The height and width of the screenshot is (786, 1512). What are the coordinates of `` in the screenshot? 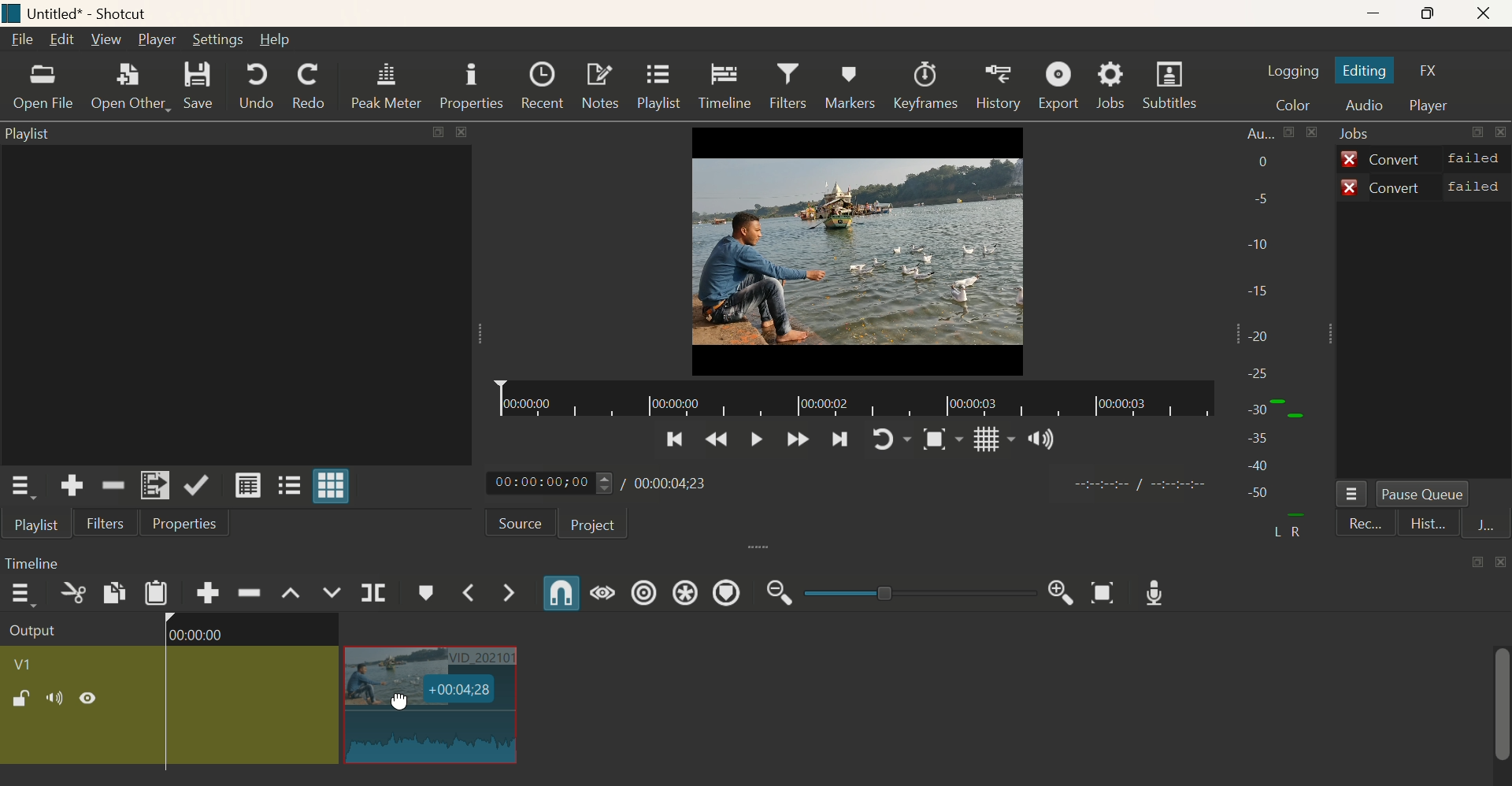 It's located at (524, 522).